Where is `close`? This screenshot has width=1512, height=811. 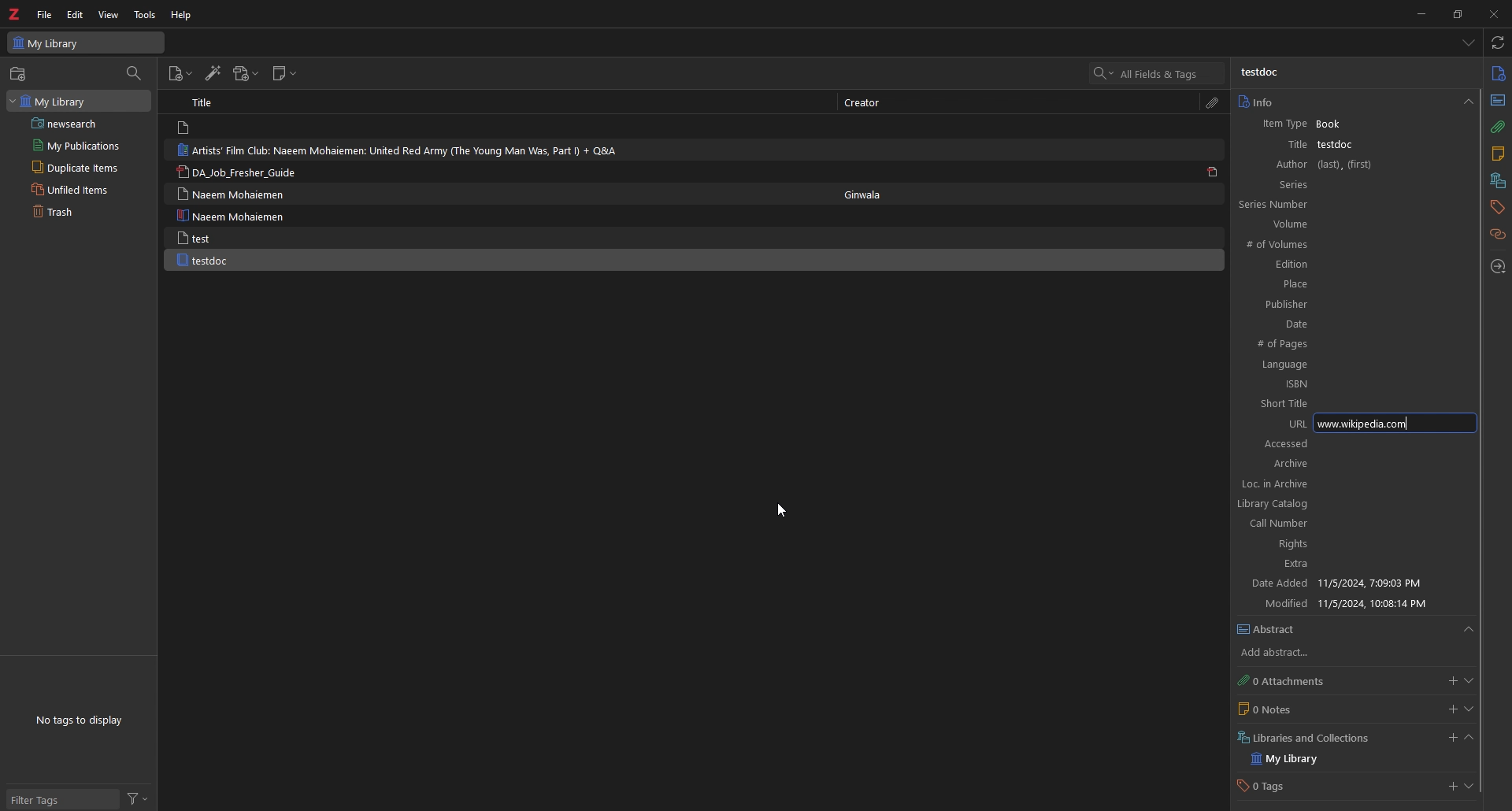 close is located at coordinates (1493, 13).